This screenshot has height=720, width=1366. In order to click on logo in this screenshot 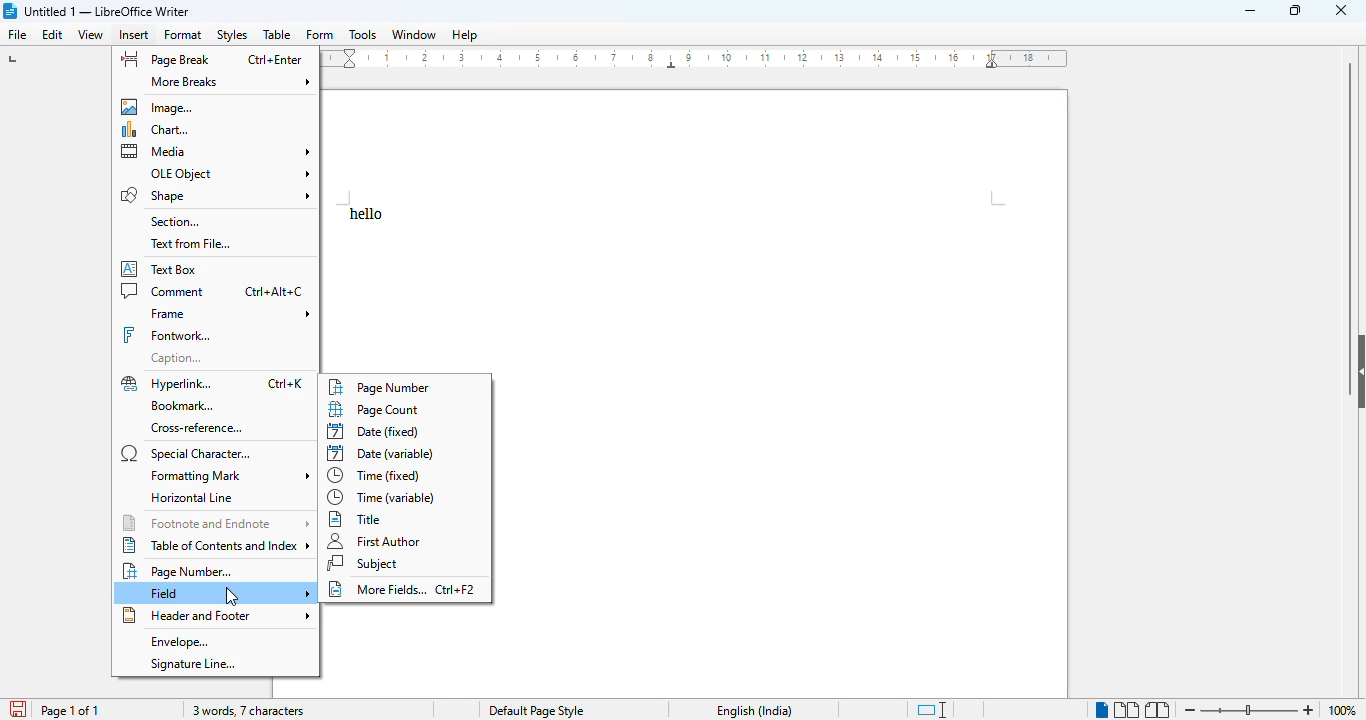, I will do `click(9, 11)`.